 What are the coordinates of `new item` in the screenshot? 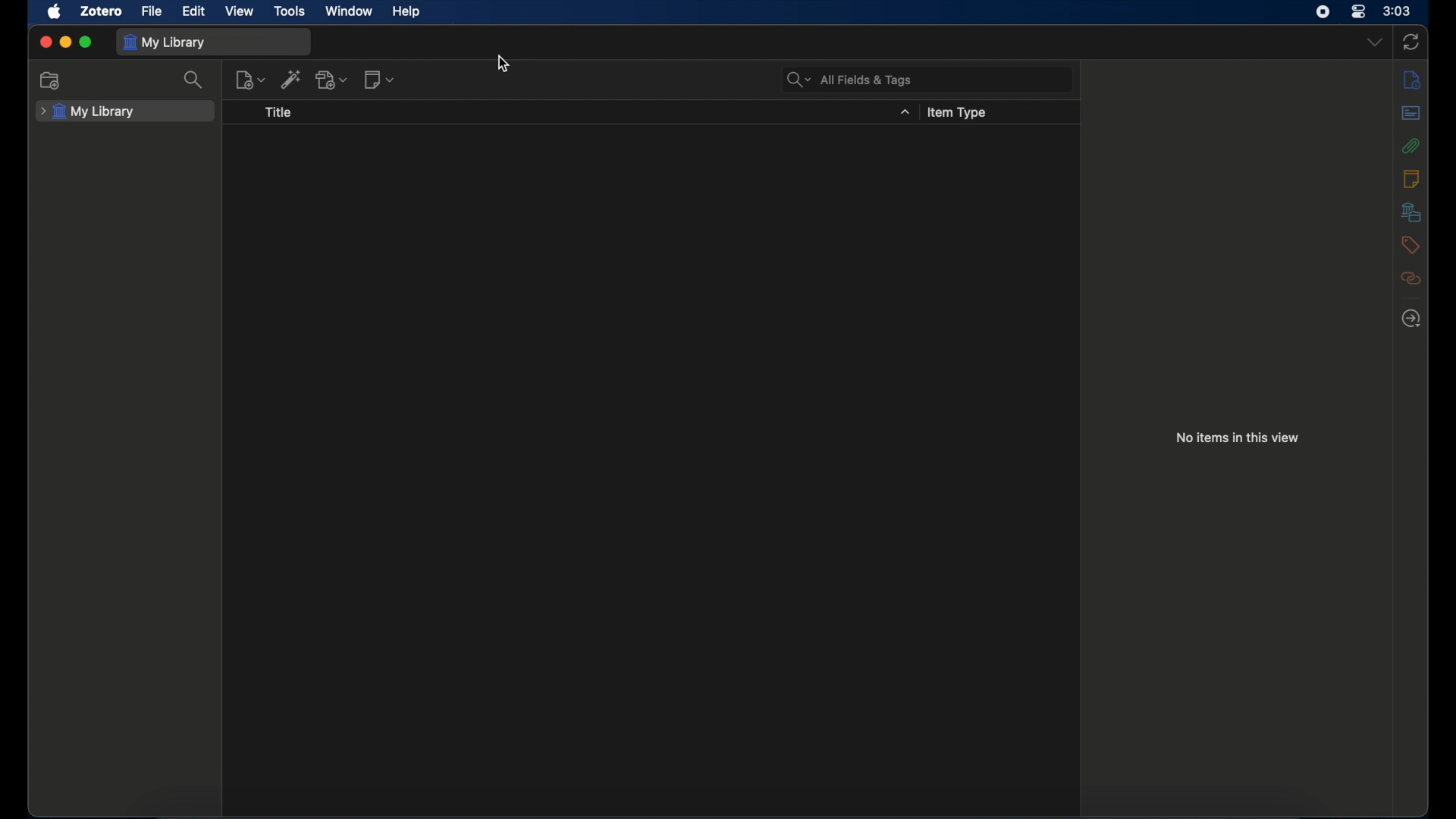 It's located at (249, 79).